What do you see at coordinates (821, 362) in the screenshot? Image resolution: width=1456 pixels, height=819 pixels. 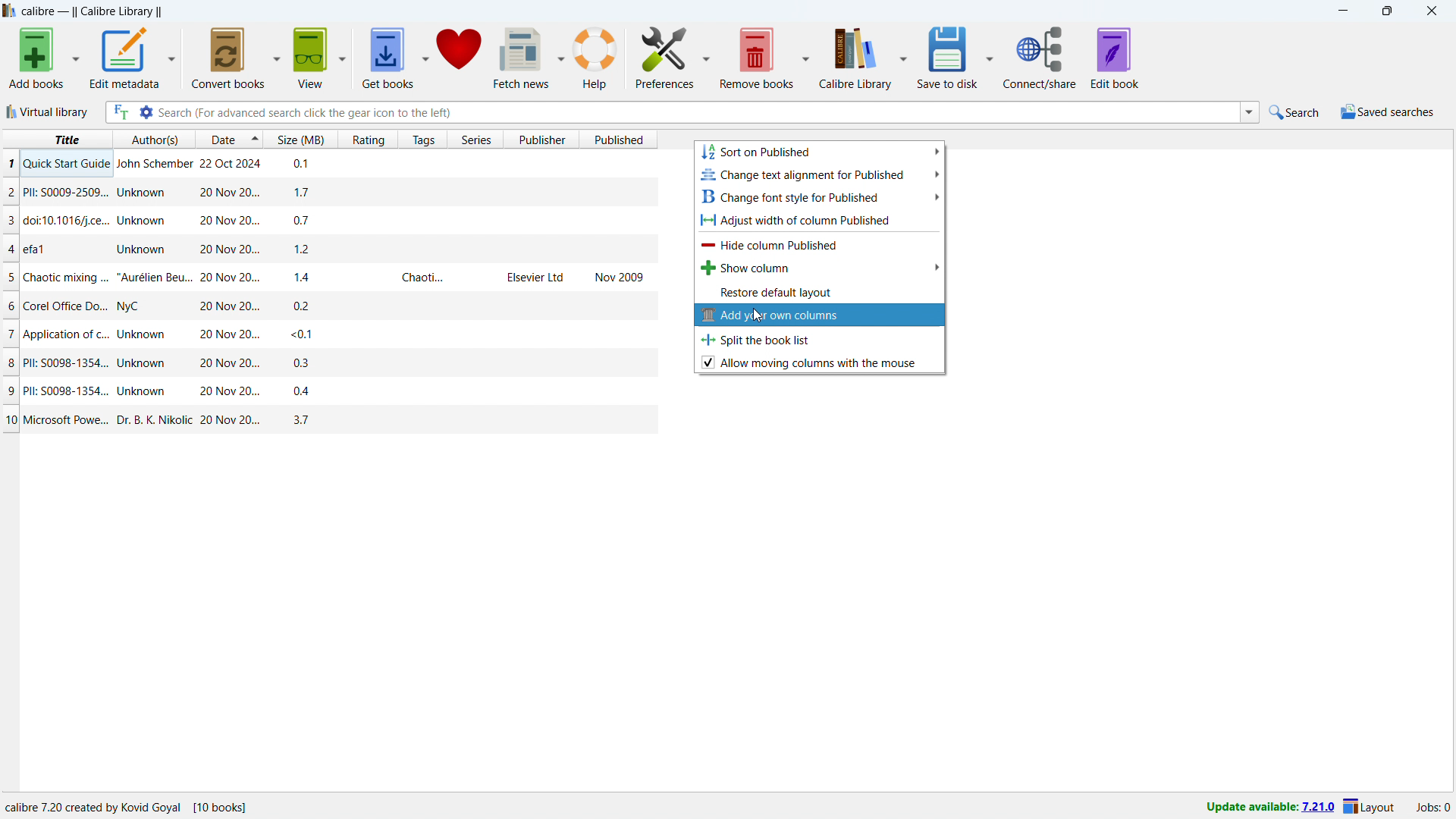 I see `allow moving columns with the mouse` at bounding box center [821, 362].